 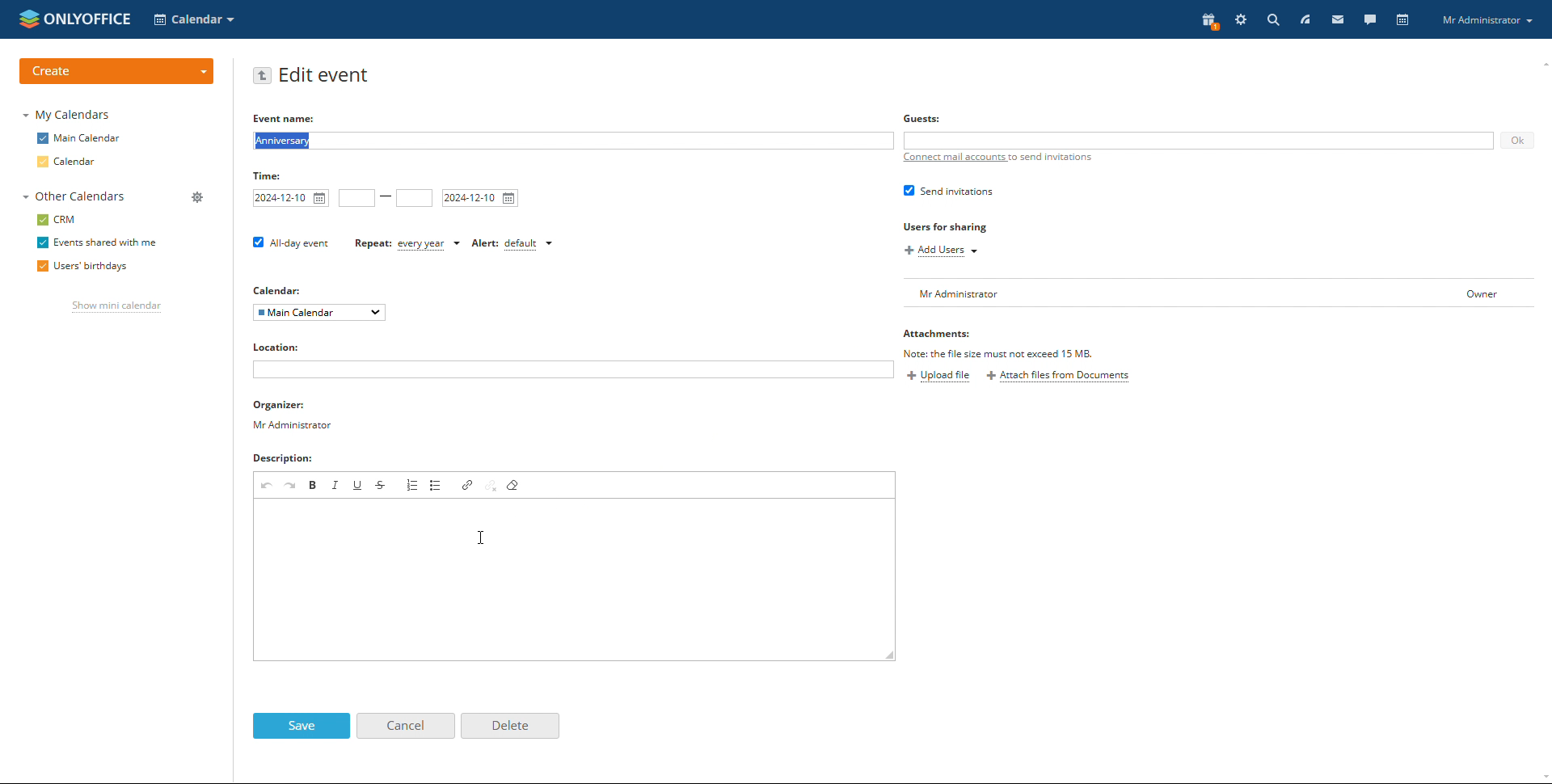 What do you see at coordinates (286, 458) in the screenshot?
I see `Description:` at bounding box center [286, 458].